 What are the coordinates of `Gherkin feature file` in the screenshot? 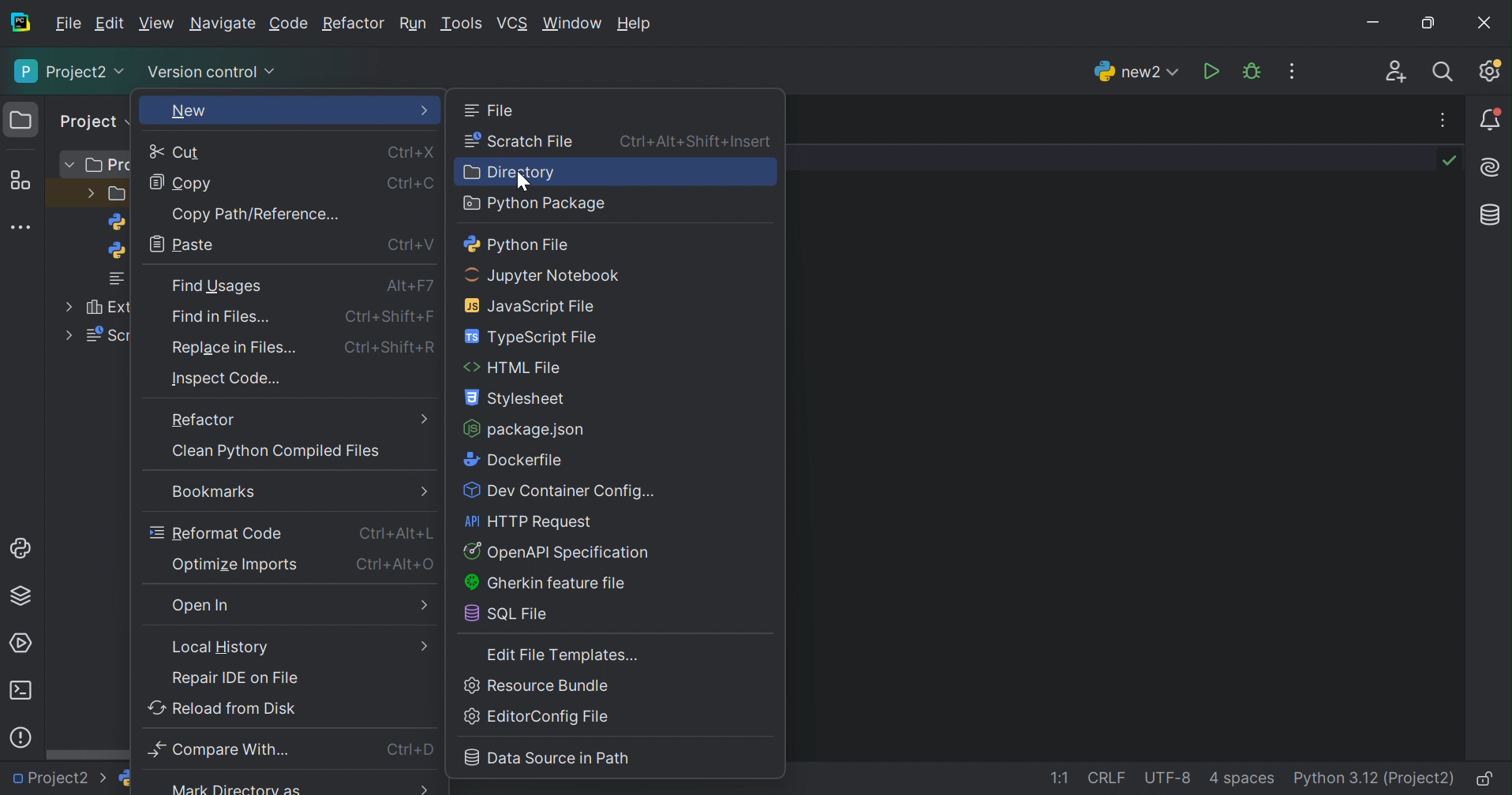 It's located at (548, 583).